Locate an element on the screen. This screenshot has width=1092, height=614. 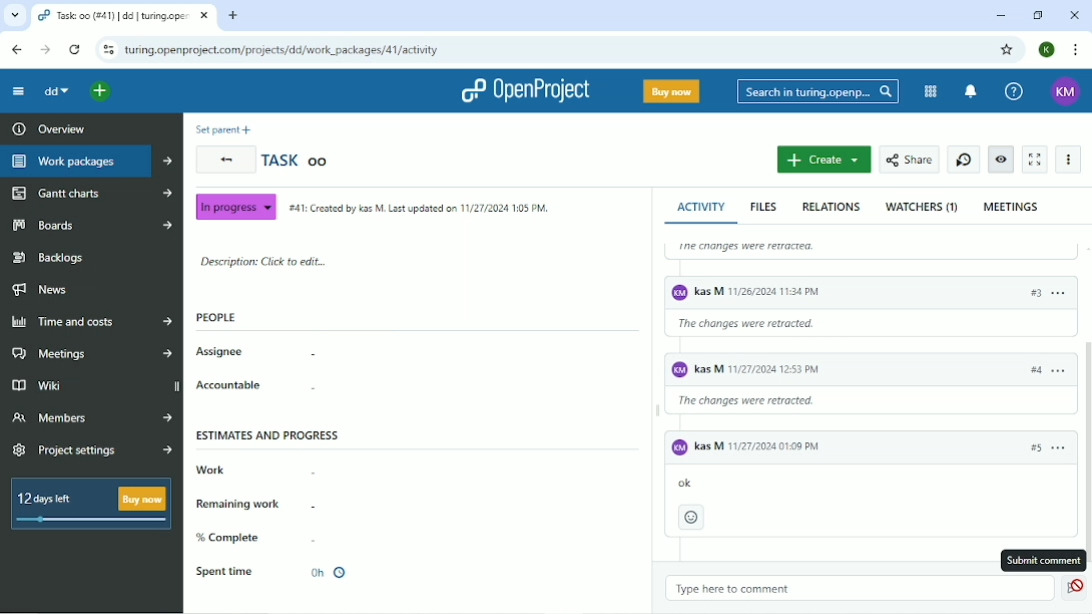
Description is located at coordinates (261, 263).